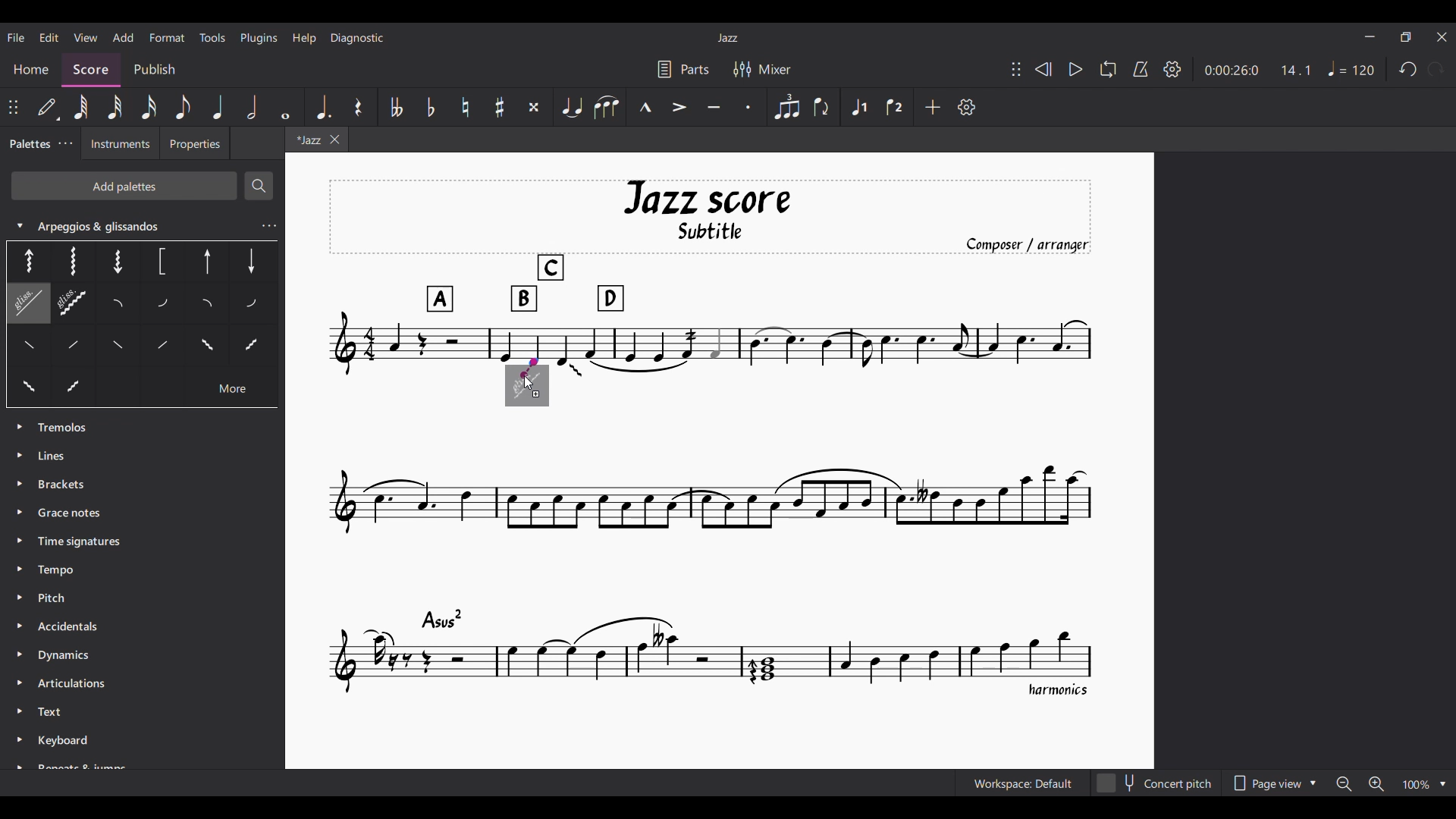 The image size is (1456, 819). I want to click on Pitch, so click(53, 596).